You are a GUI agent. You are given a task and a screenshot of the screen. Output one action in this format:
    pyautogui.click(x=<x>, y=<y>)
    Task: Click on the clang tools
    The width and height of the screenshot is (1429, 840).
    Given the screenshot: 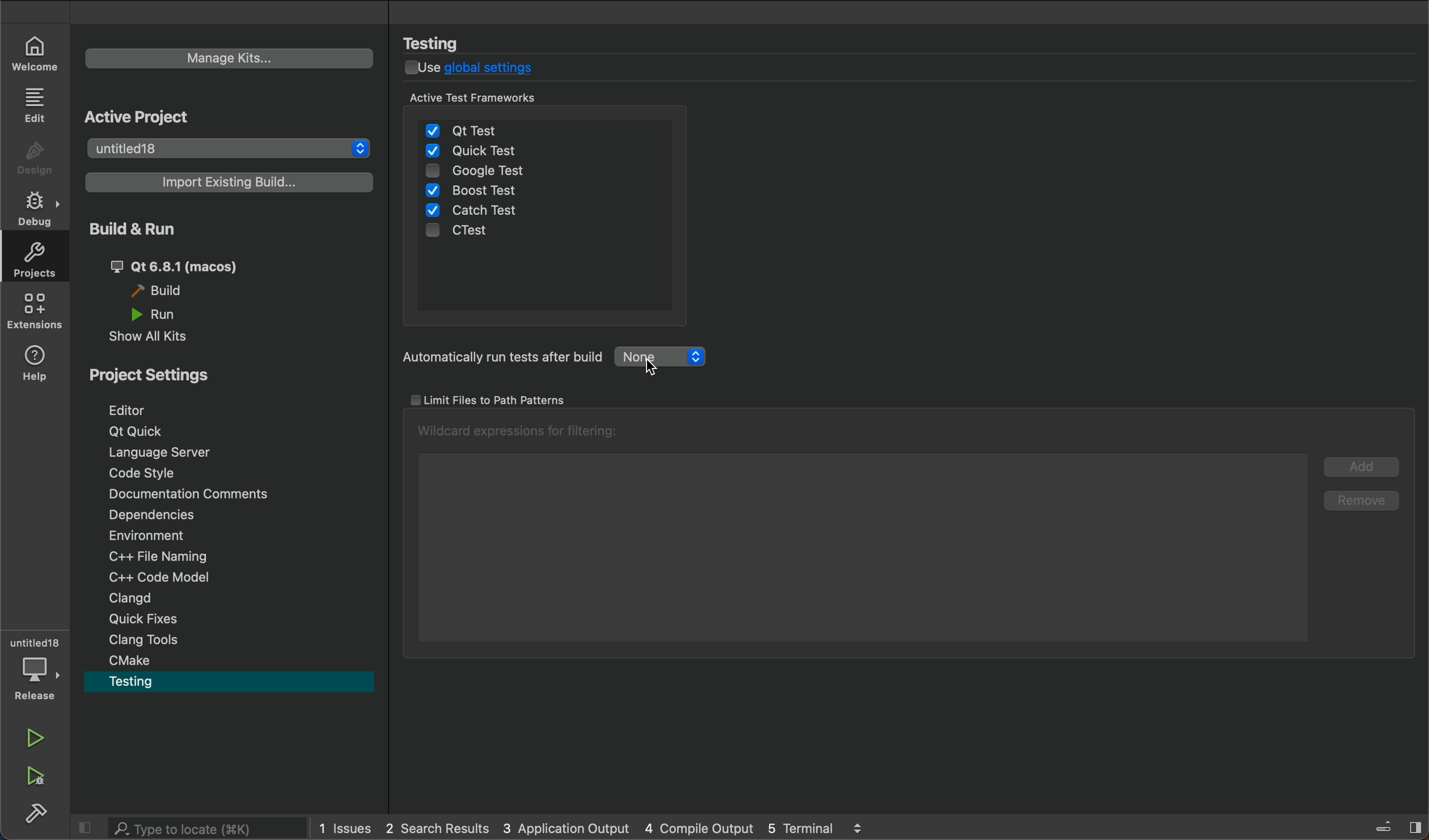 What is the action you would take?
    pyautogui.click(x=155, y=642)
    